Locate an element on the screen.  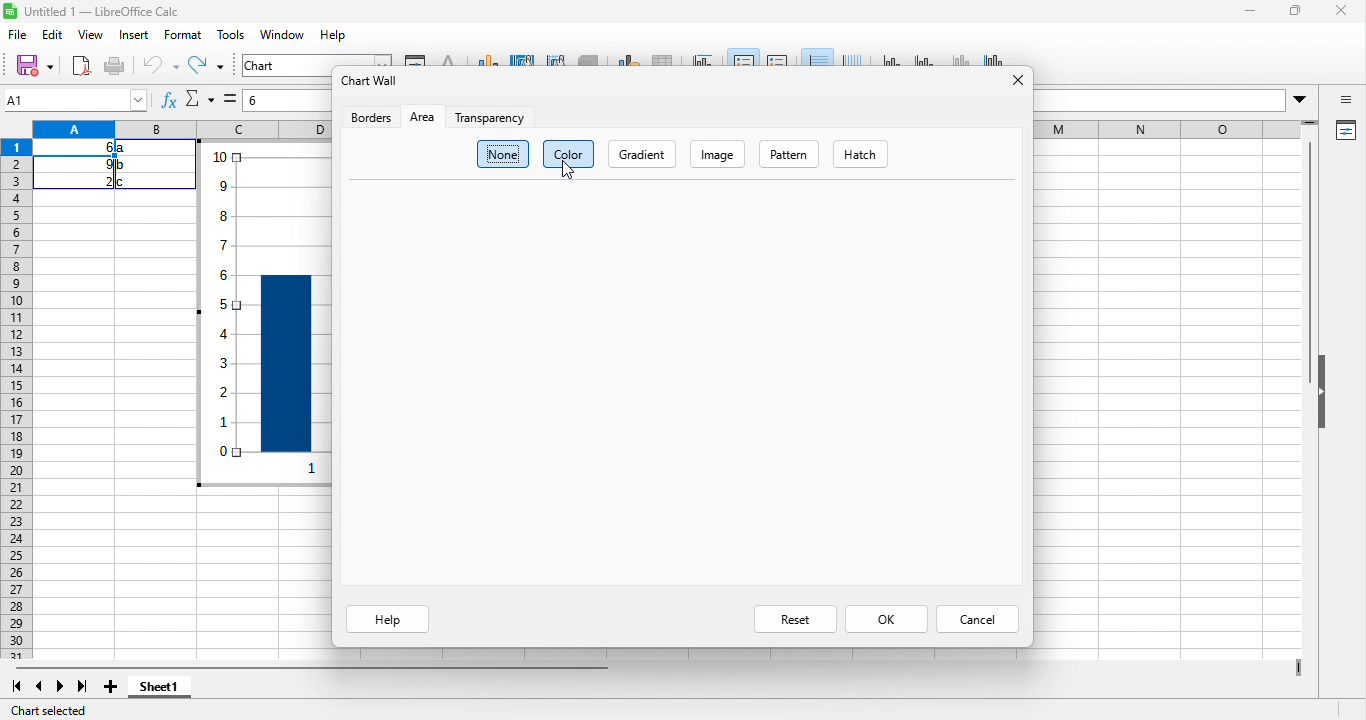
print is located at coordinates (115, 66).